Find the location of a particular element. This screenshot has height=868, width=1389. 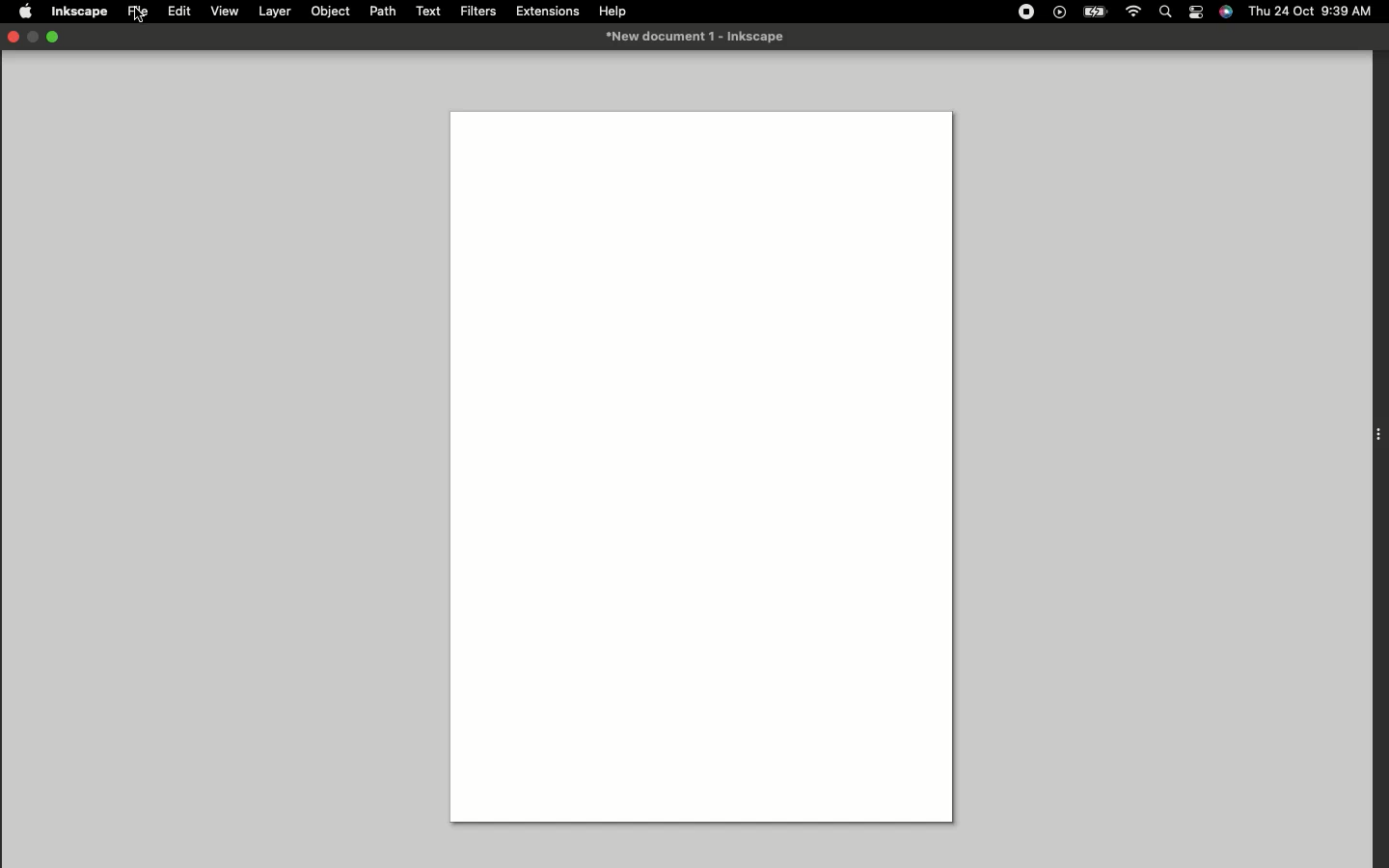

Close is located at coordinates (14, 39).